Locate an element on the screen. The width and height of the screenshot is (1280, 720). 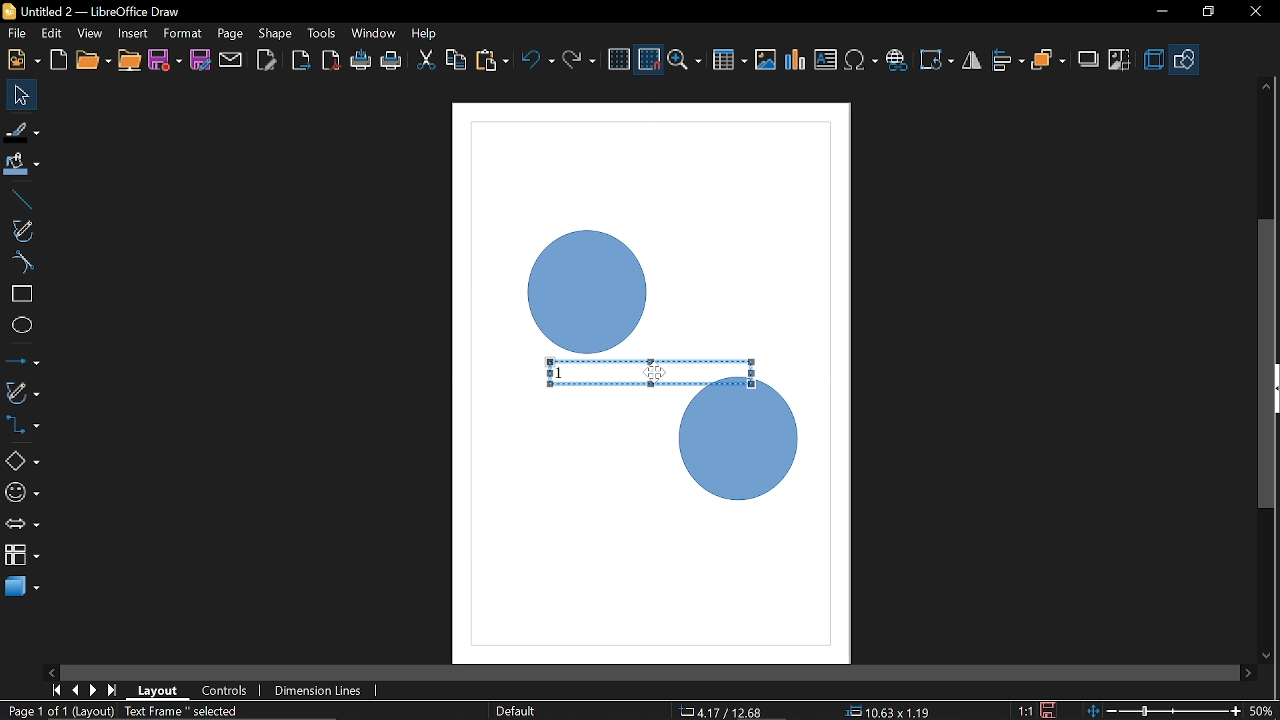
Style is located at coordinates (513, 711).